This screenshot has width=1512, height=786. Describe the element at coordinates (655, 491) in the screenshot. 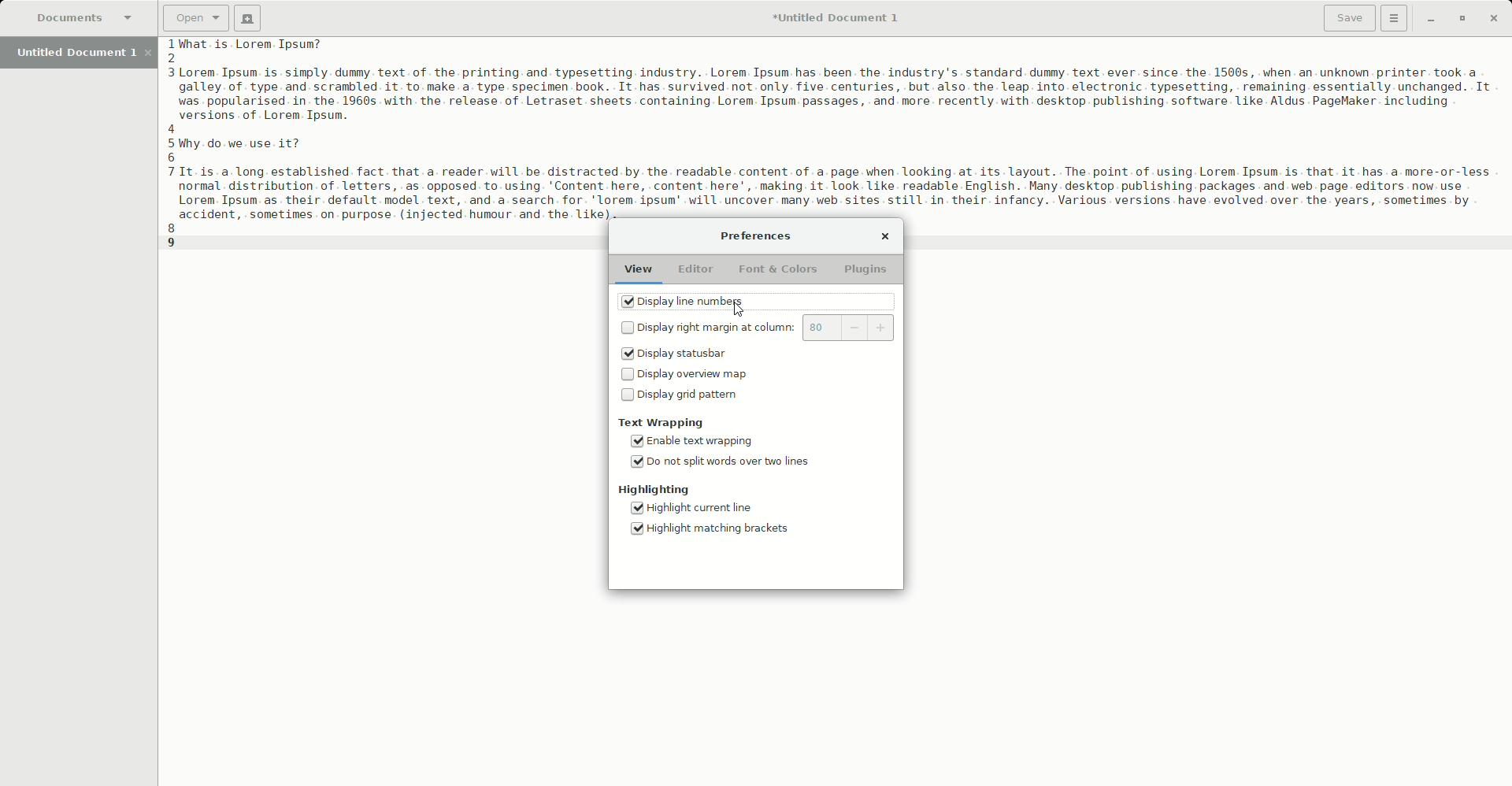

I see `Highlighting` at that location.